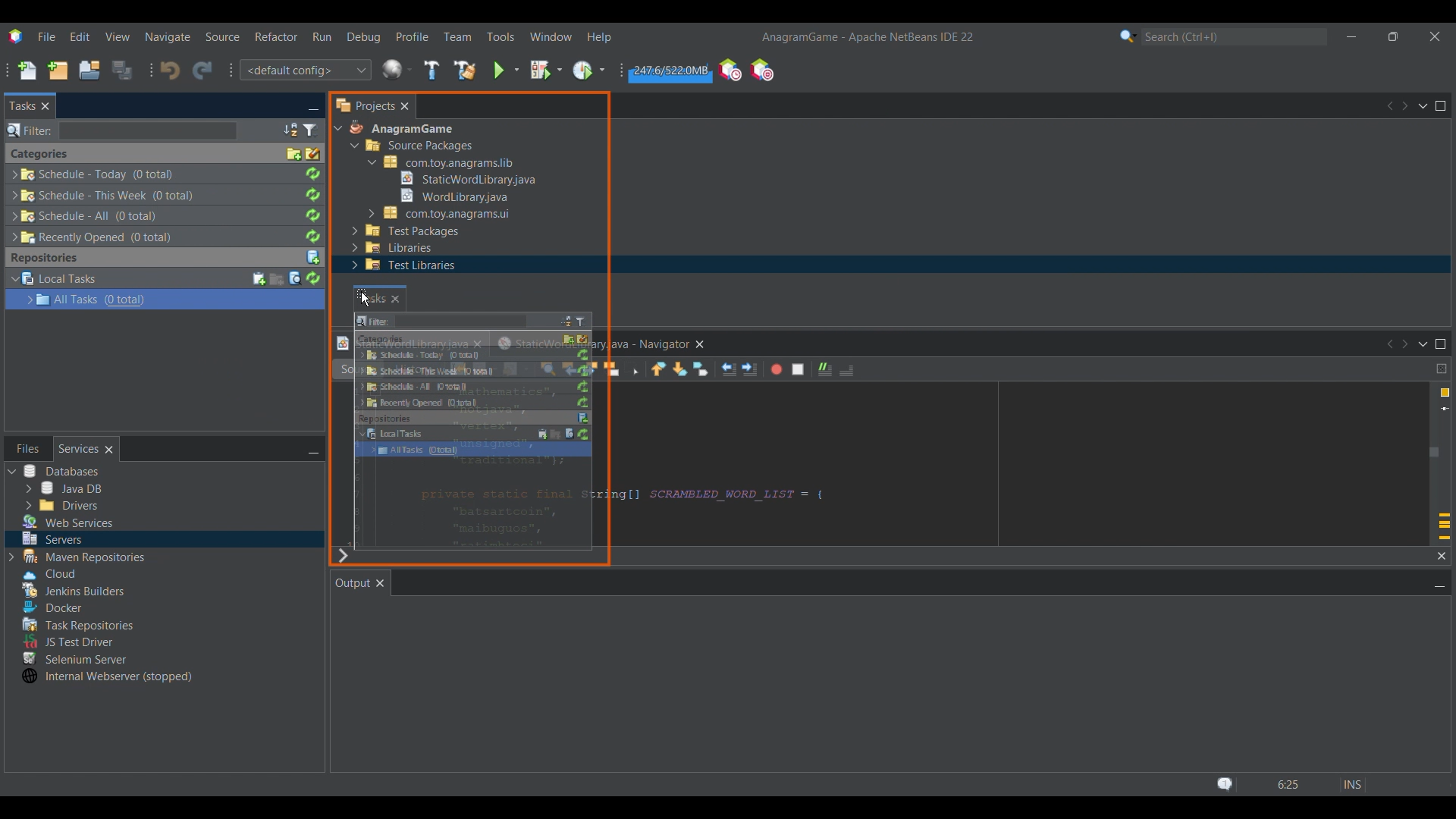 This screenshot has height=819, width=1456. What do you see at coordinates (45, 105) in the screenshot?
I see `Close` at bounding box center [45, 105].